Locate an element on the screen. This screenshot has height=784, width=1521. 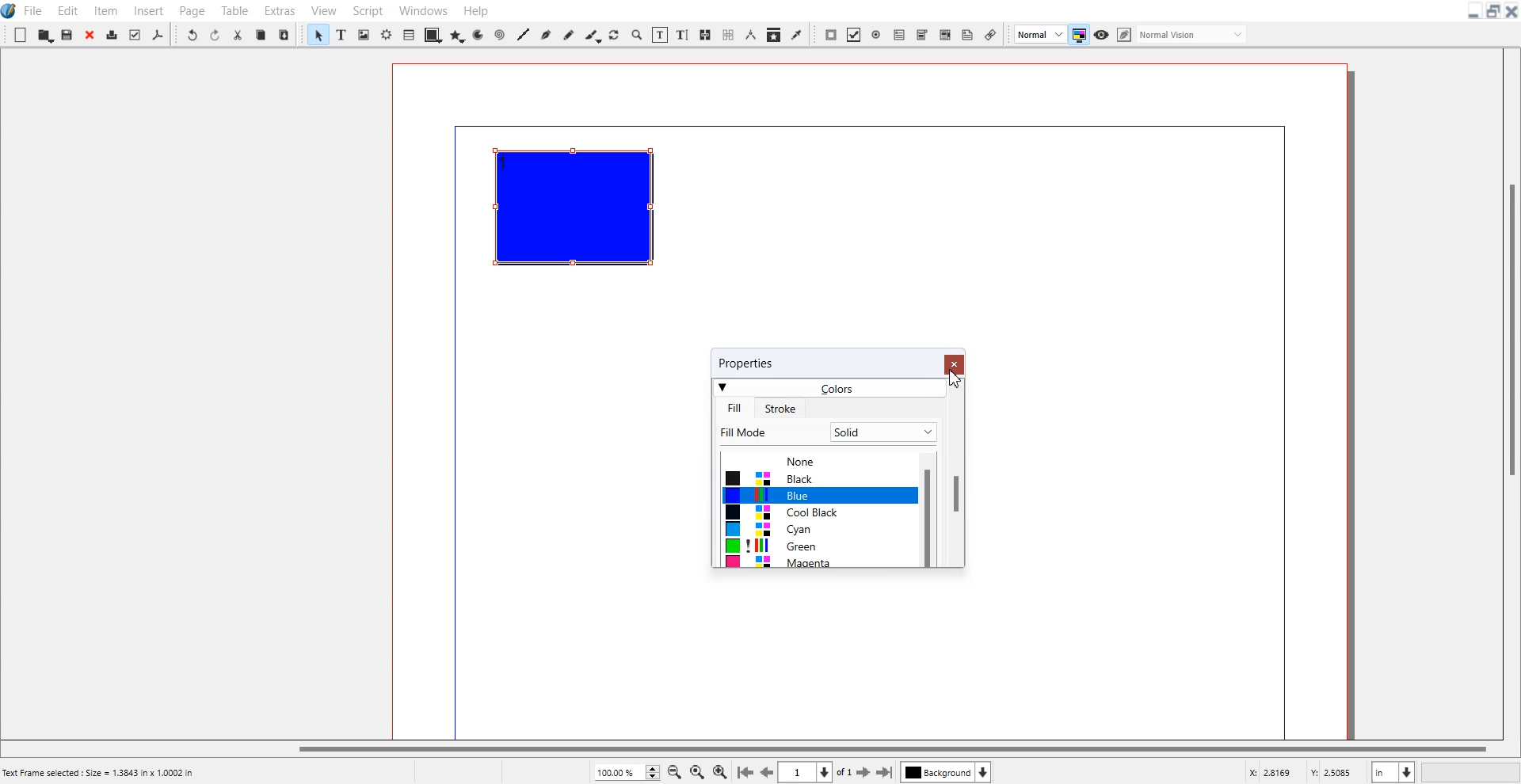
Measurement is located at coordinates (750, 35).